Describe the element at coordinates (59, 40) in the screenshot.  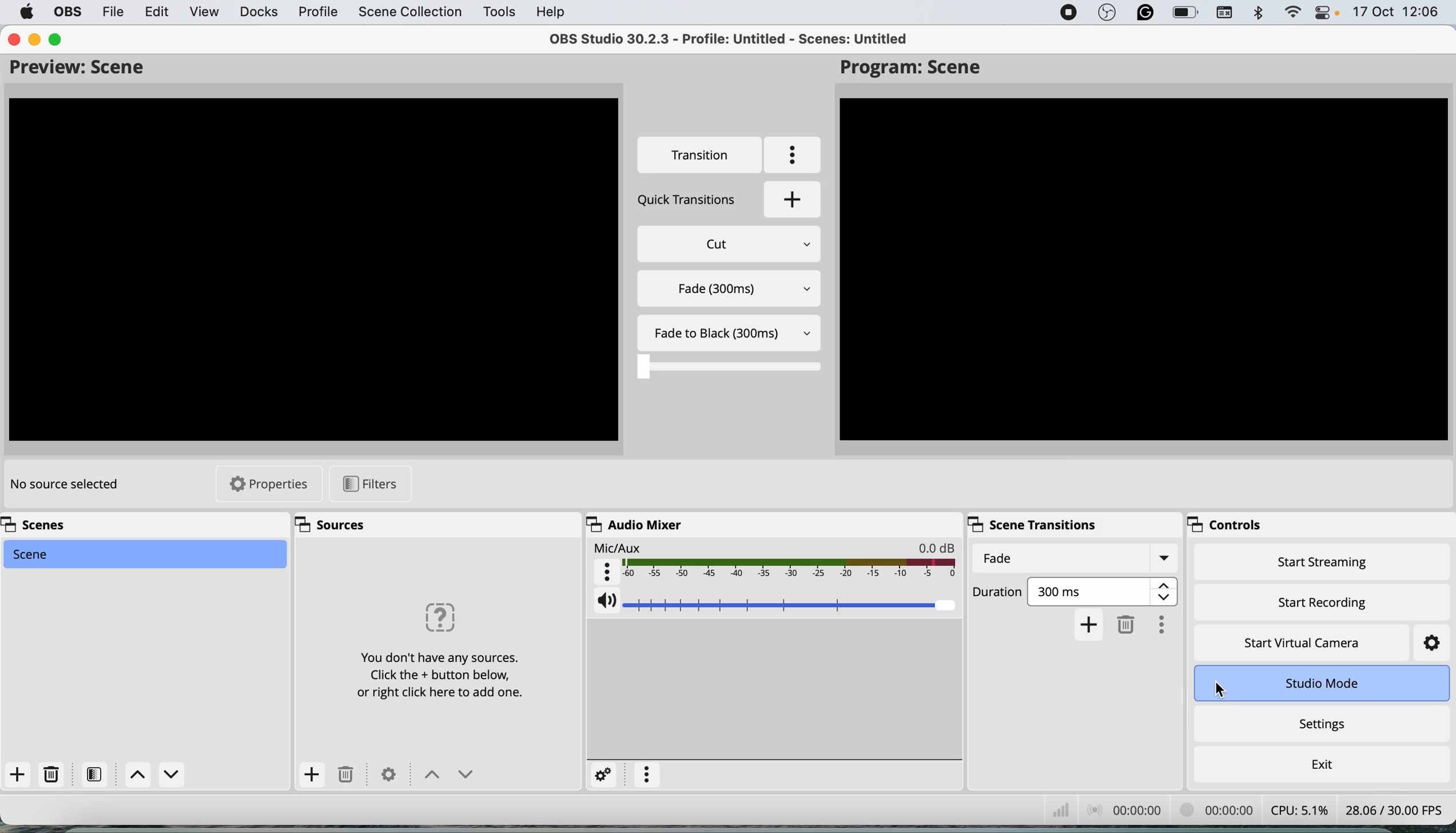
I see `maximise` at that location.